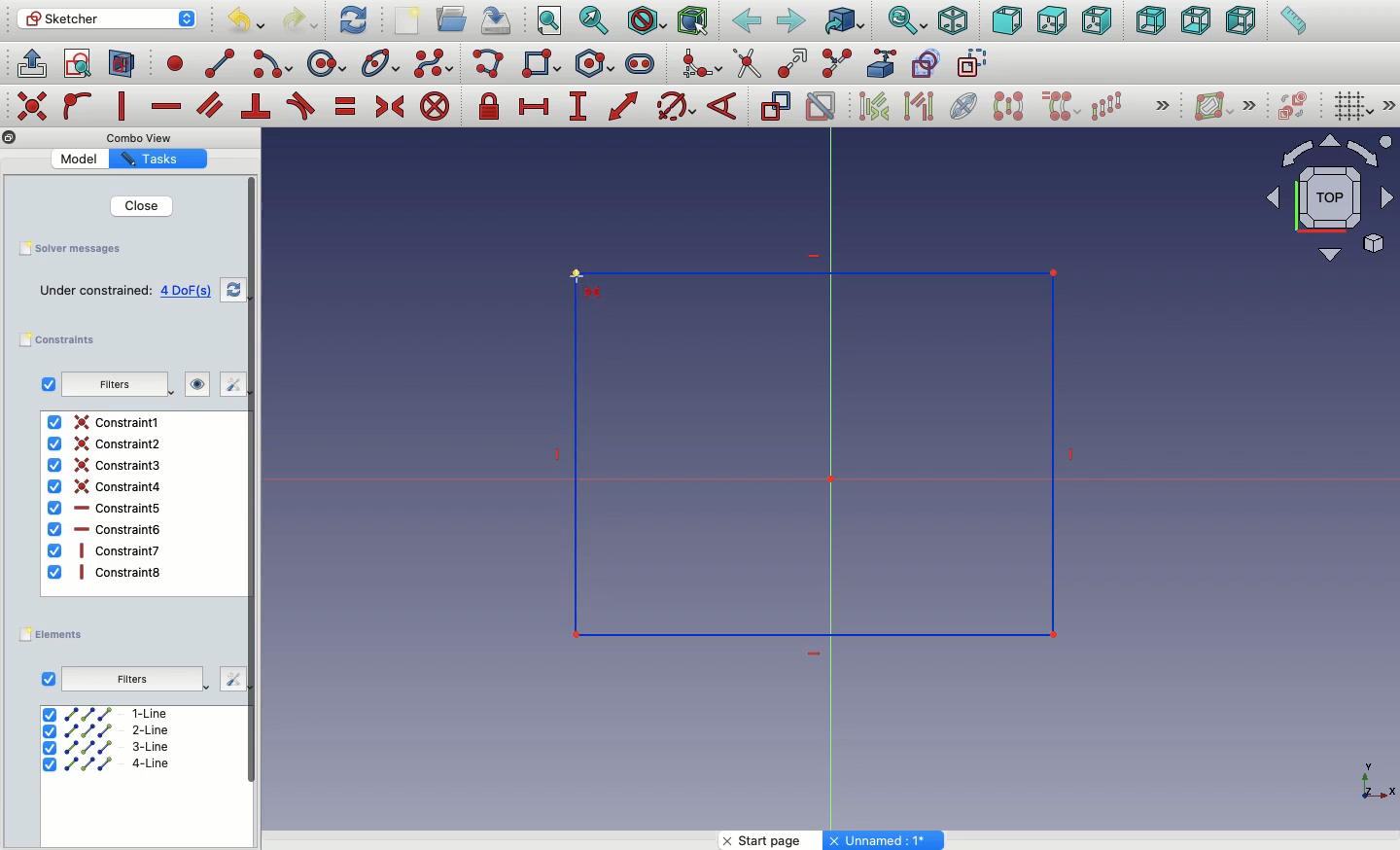 The width and height of the screenshot is (1400, 850). I want to click on Cursor, so click(581, 286).